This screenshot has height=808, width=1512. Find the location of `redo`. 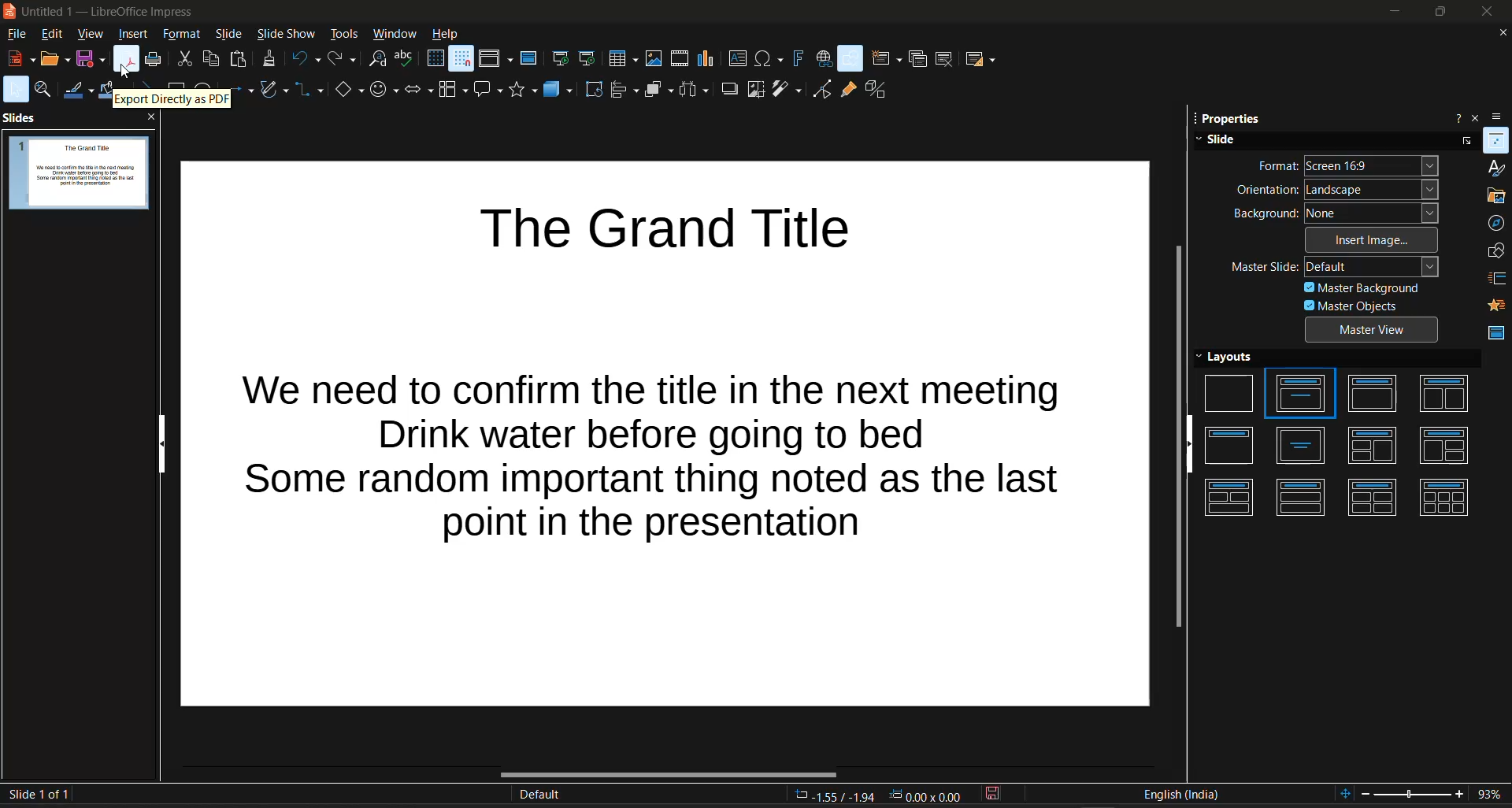

redo is located at coordinates (343, 60).